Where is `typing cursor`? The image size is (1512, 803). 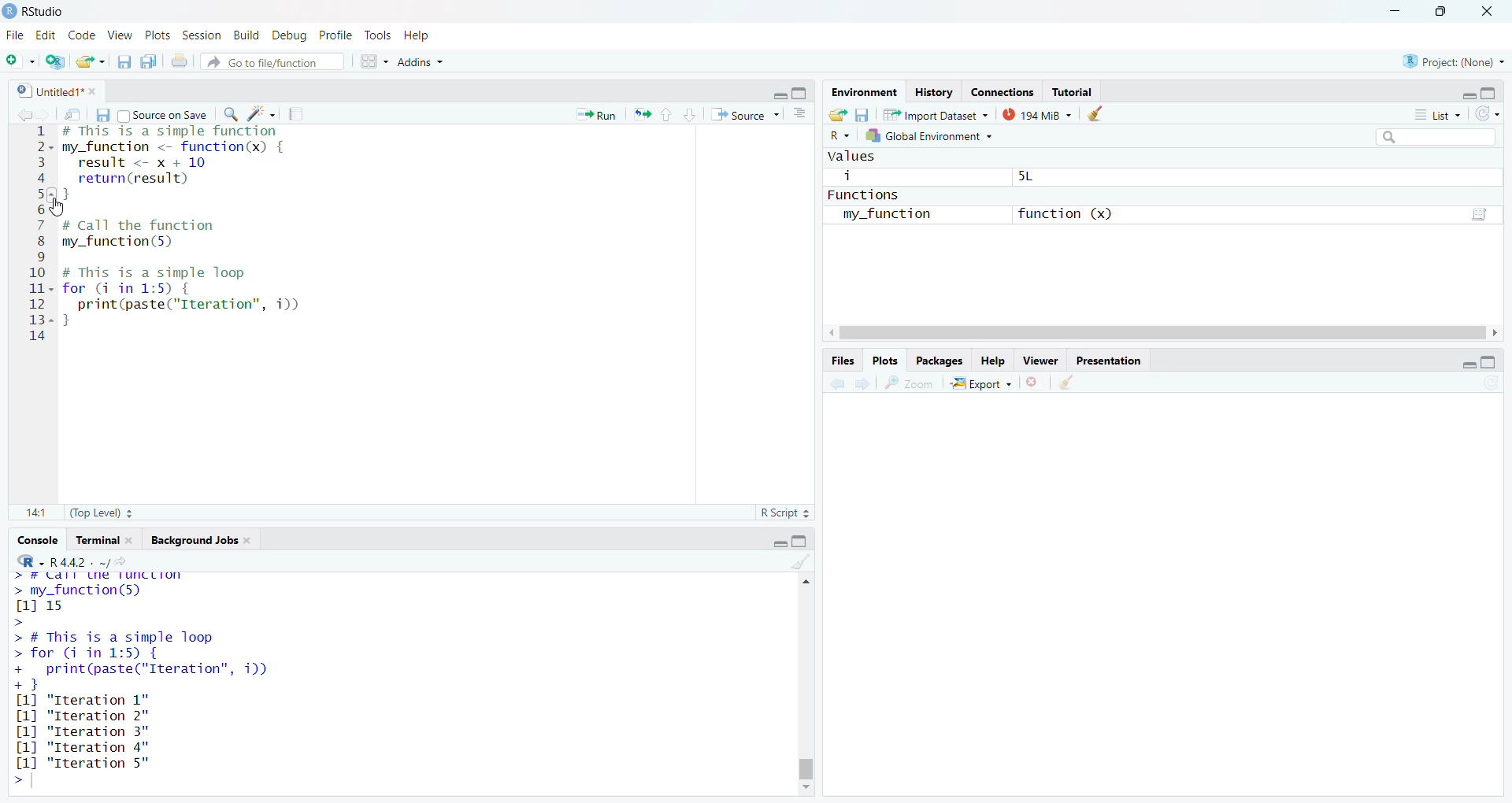 typing cursor is located at coordinates (69, 339).